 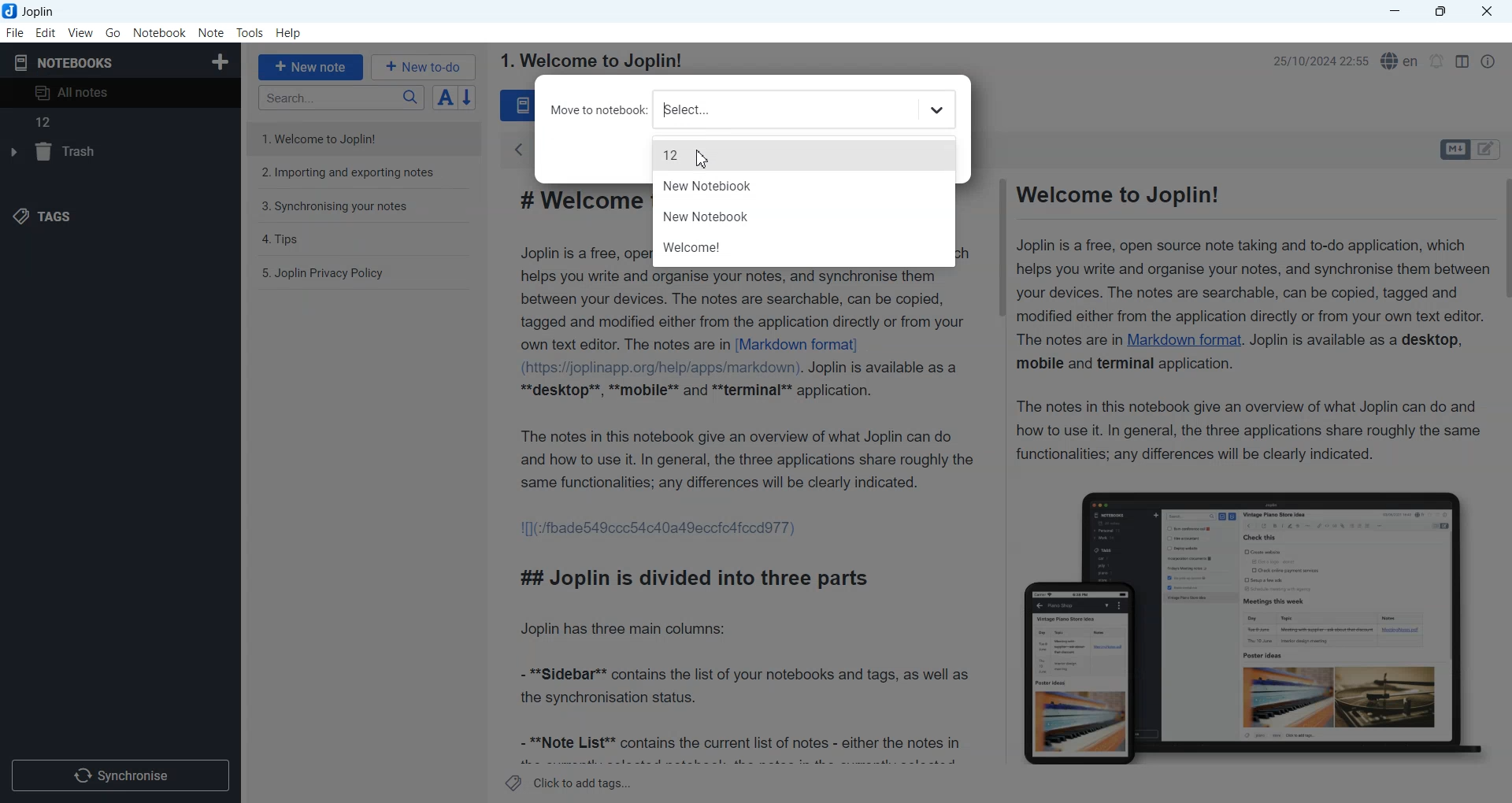 What do you see at coordinates (350, 175) in the screenshot?
I see `2. Importing and exporting notes` at bounding box center [350, 175].